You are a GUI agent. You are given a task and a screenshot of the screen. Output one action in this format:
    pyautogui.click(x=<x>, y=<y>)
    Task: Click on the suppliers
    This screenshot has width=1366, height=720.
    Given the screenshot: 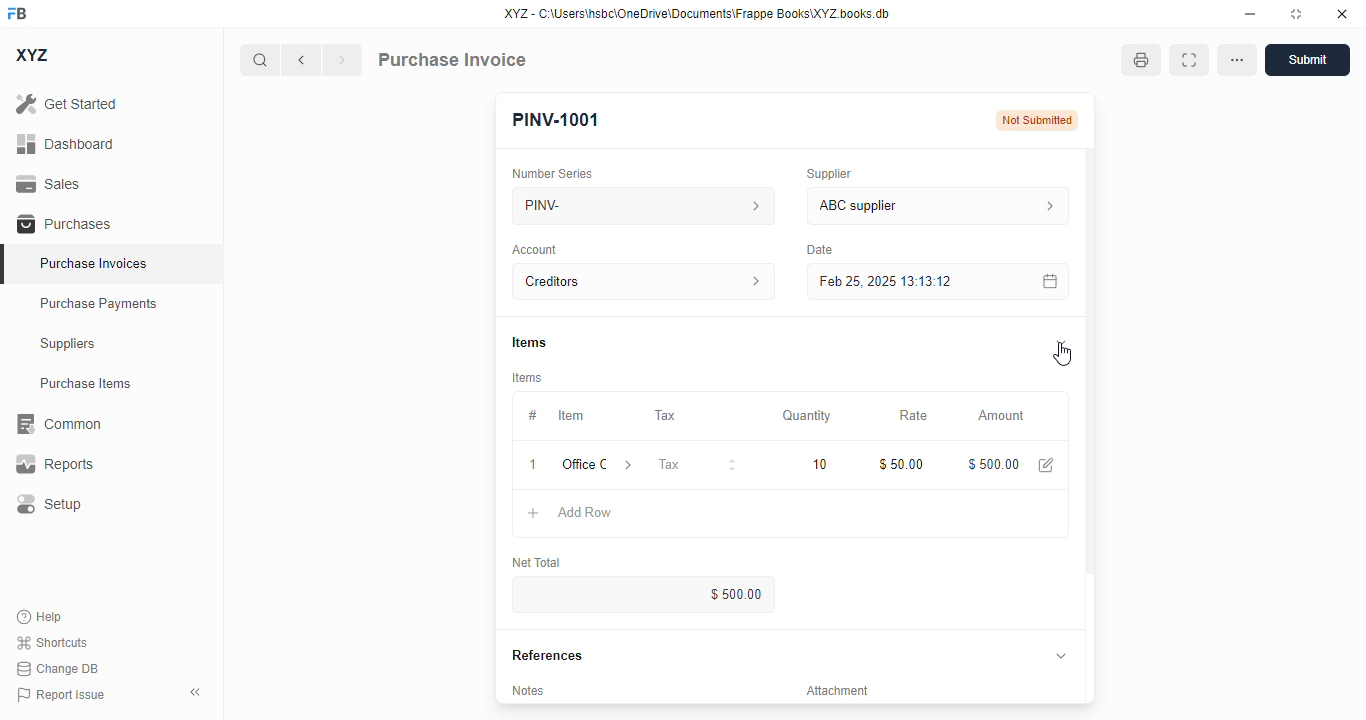 What is the action you would take?
    pyautogui.click(x=69, y=344)
    